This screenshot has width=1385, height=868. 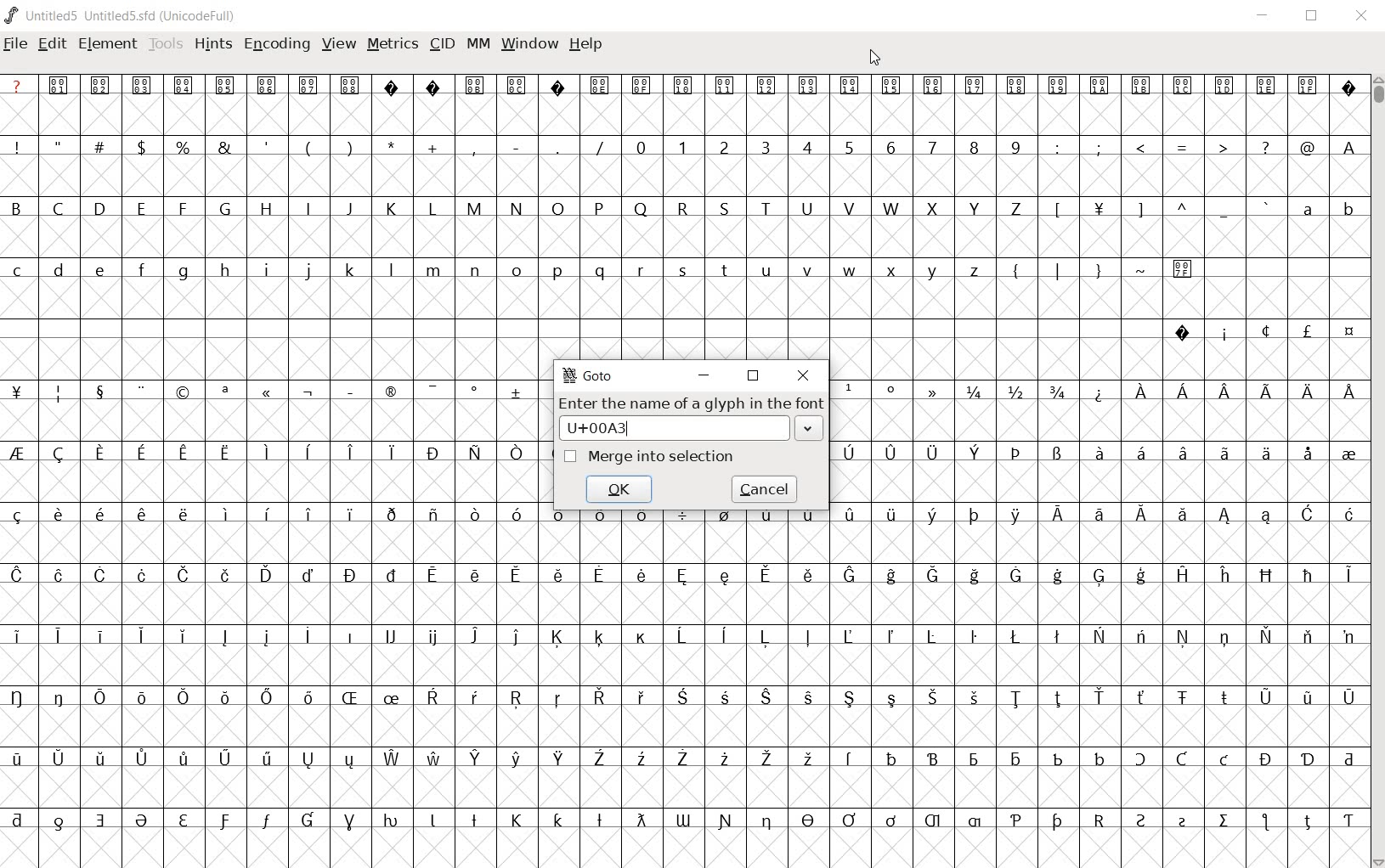 I want to click on Symbol, so click(x=1224, y=332).